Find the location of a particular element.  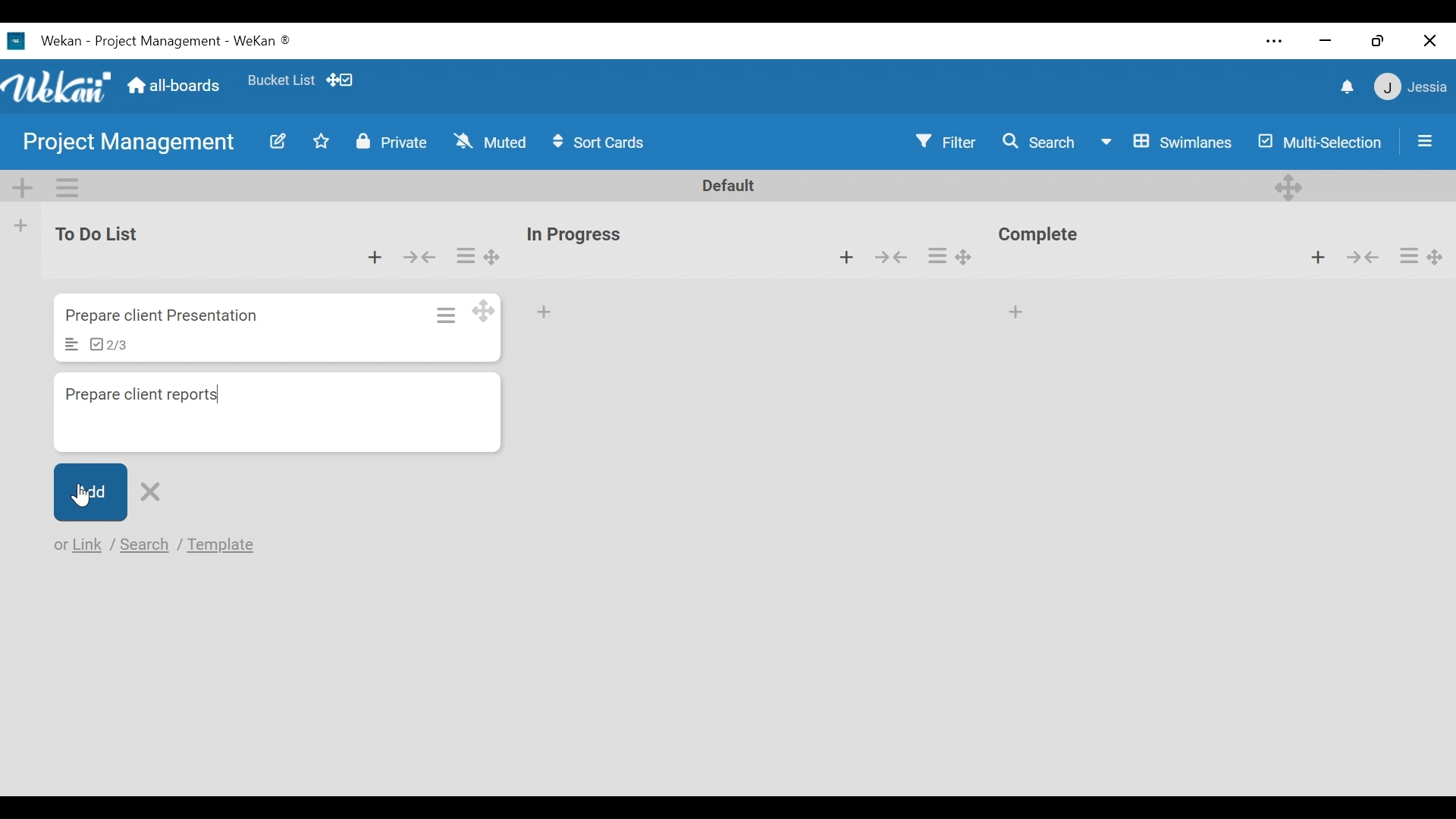

All-boards is located at coordinates (174, 86).